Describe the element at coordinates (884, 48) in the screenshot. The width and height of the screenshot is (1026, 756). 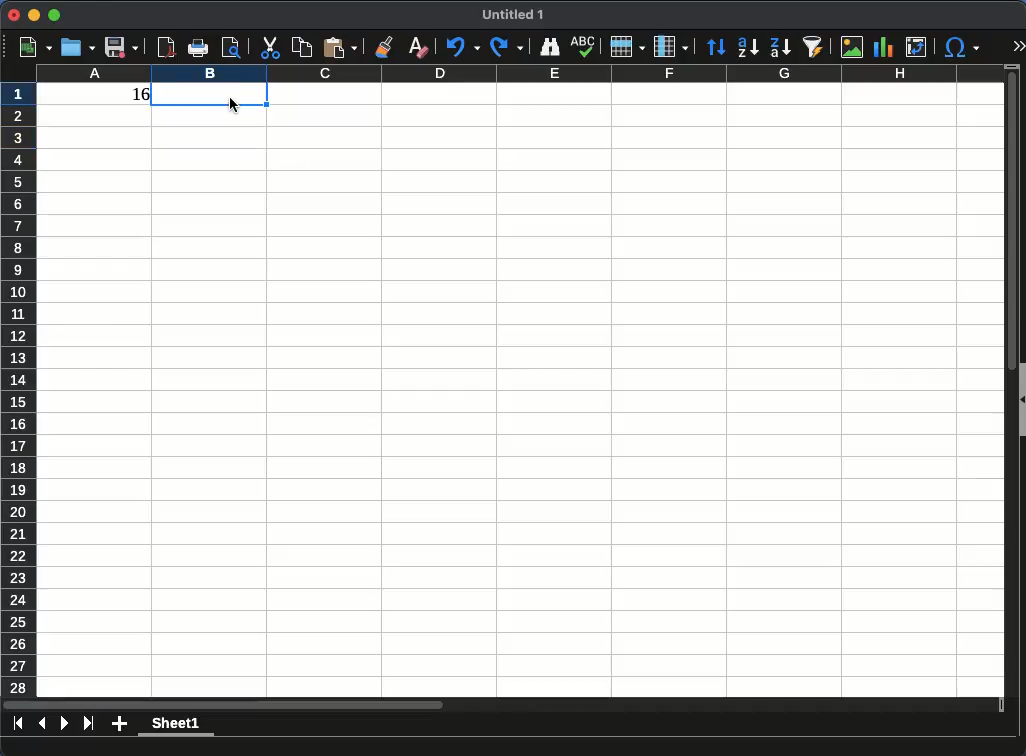
I see `chart` at that location.